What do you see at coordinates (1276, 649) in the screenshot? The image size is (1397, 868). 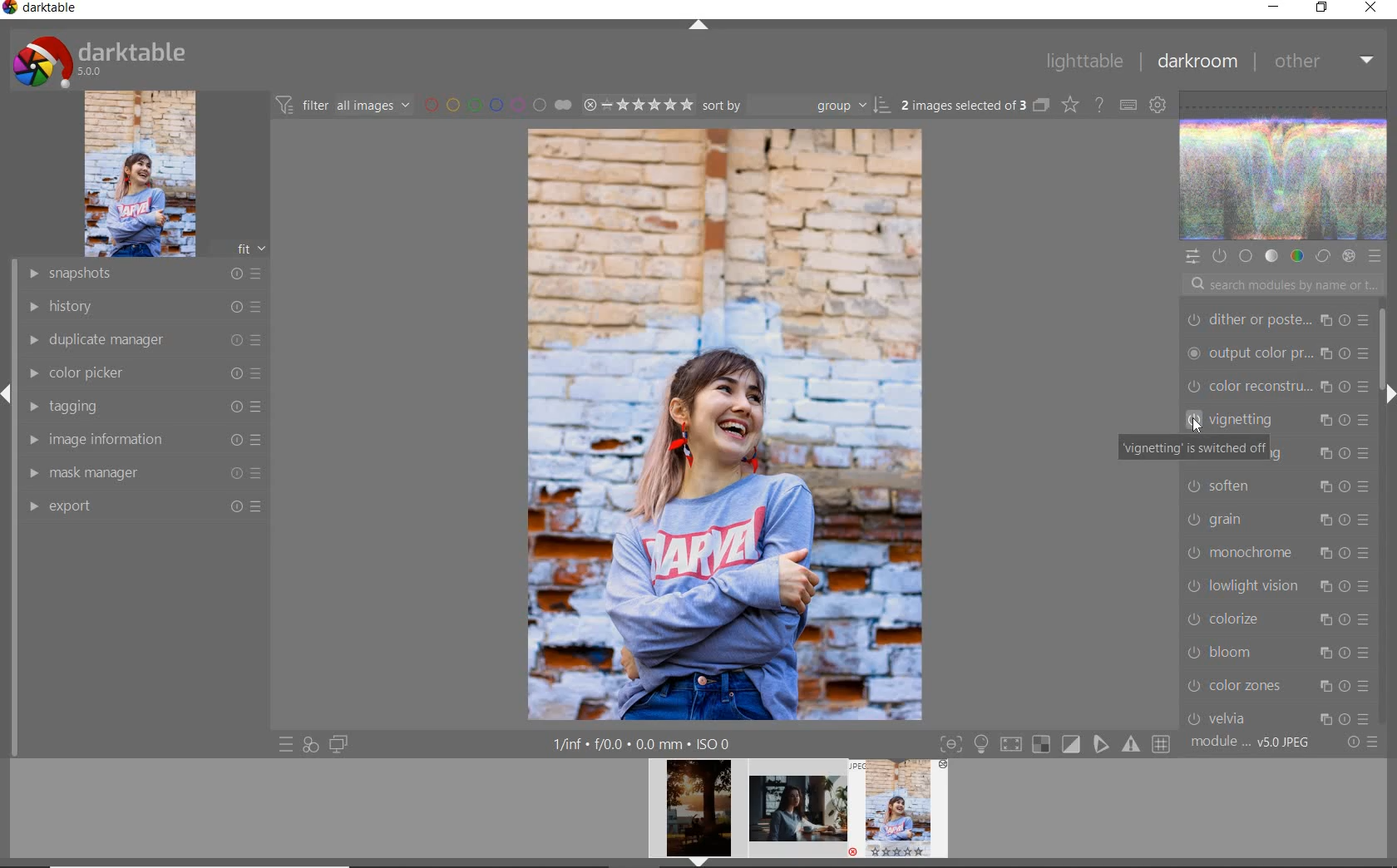 I see `haze removal` at bounding box center [1276, 649].